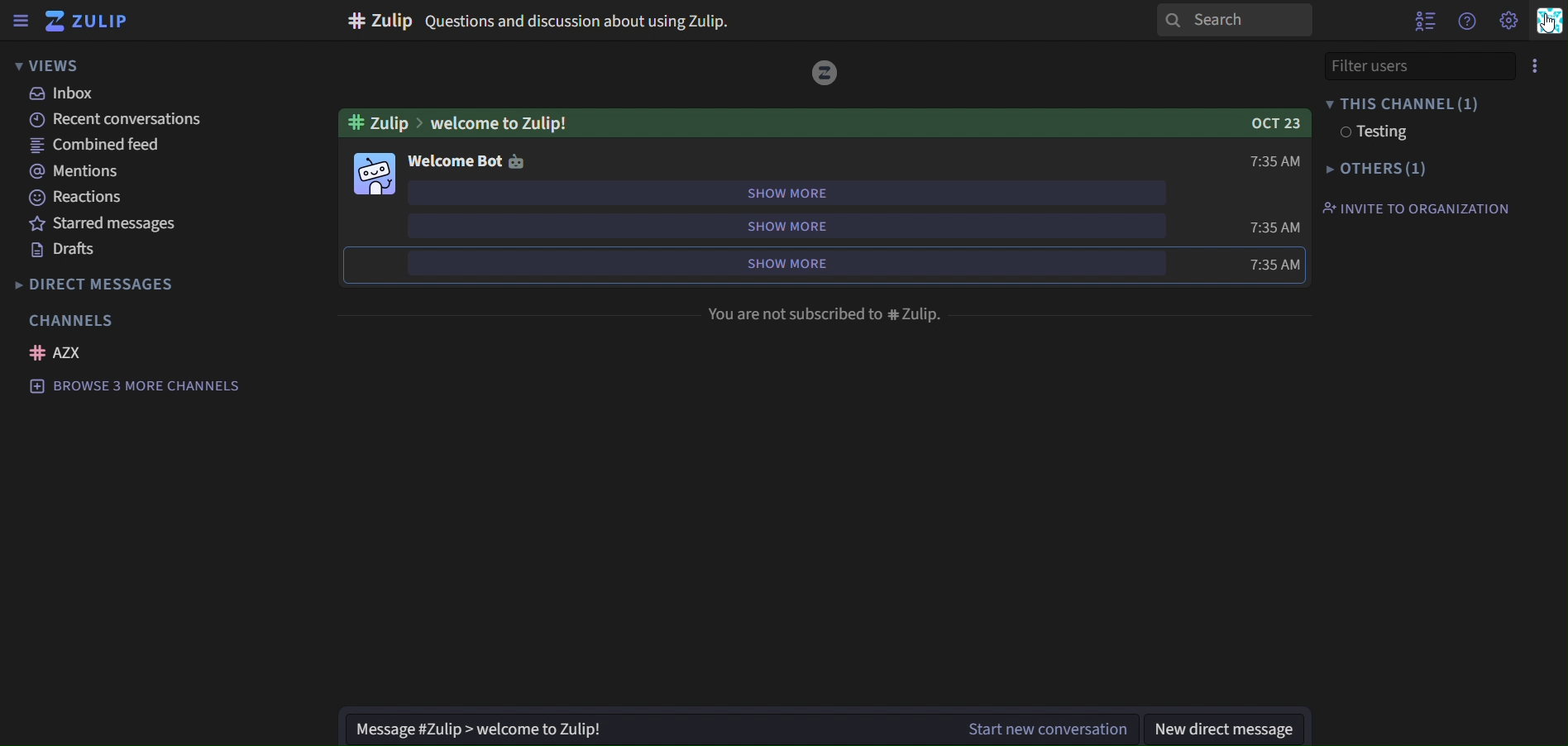  What do you see at coordinates (1551, 26) in the screenshot?
I see `cursor` at bounding box center [1551, 26].